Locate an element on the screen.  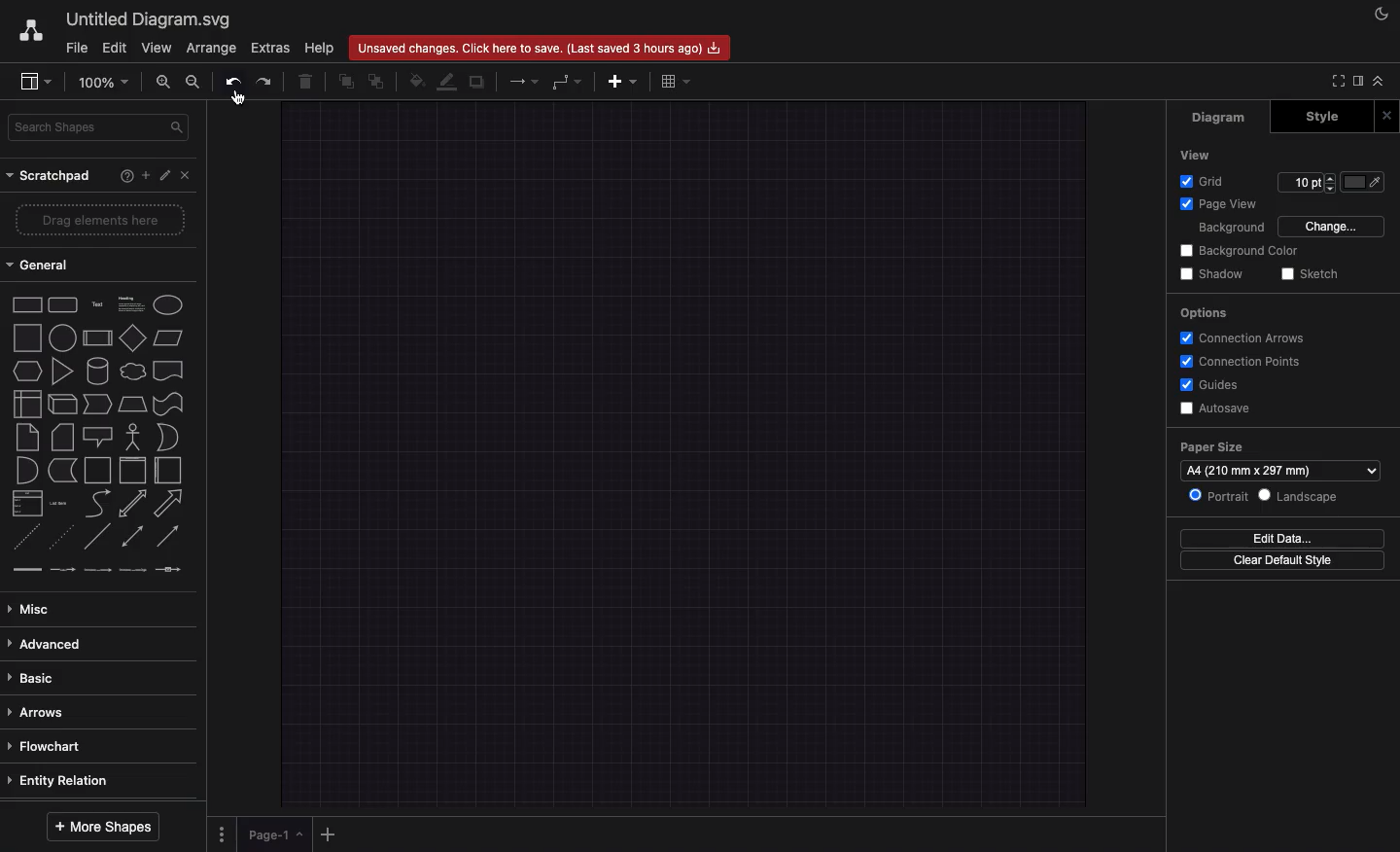
Close is located at coordinates (185, 174).